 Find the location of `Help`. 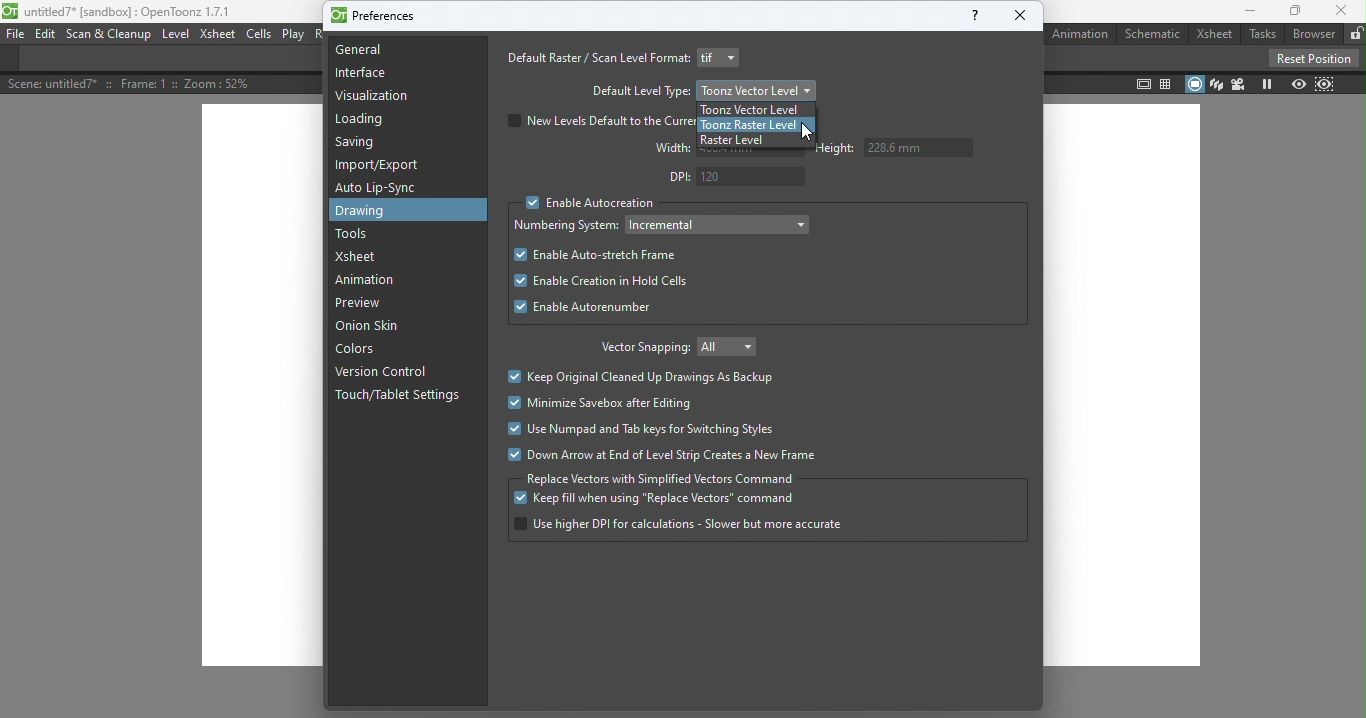

Help is located at coordinates (968, 19).